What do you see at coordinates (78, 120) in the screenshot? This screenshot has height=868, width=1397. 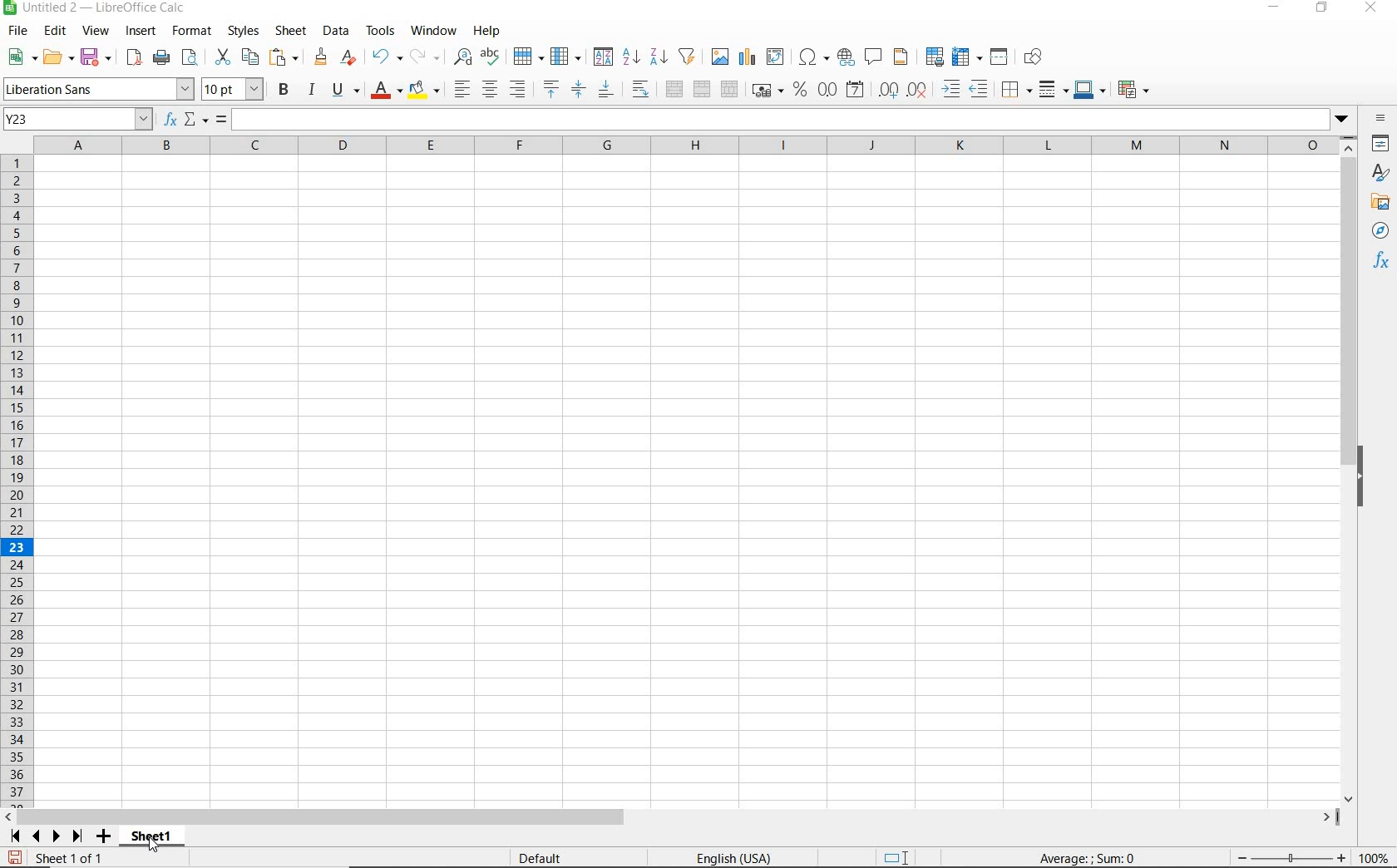 I see `NAME BOX` at bounding box center [78, 120].